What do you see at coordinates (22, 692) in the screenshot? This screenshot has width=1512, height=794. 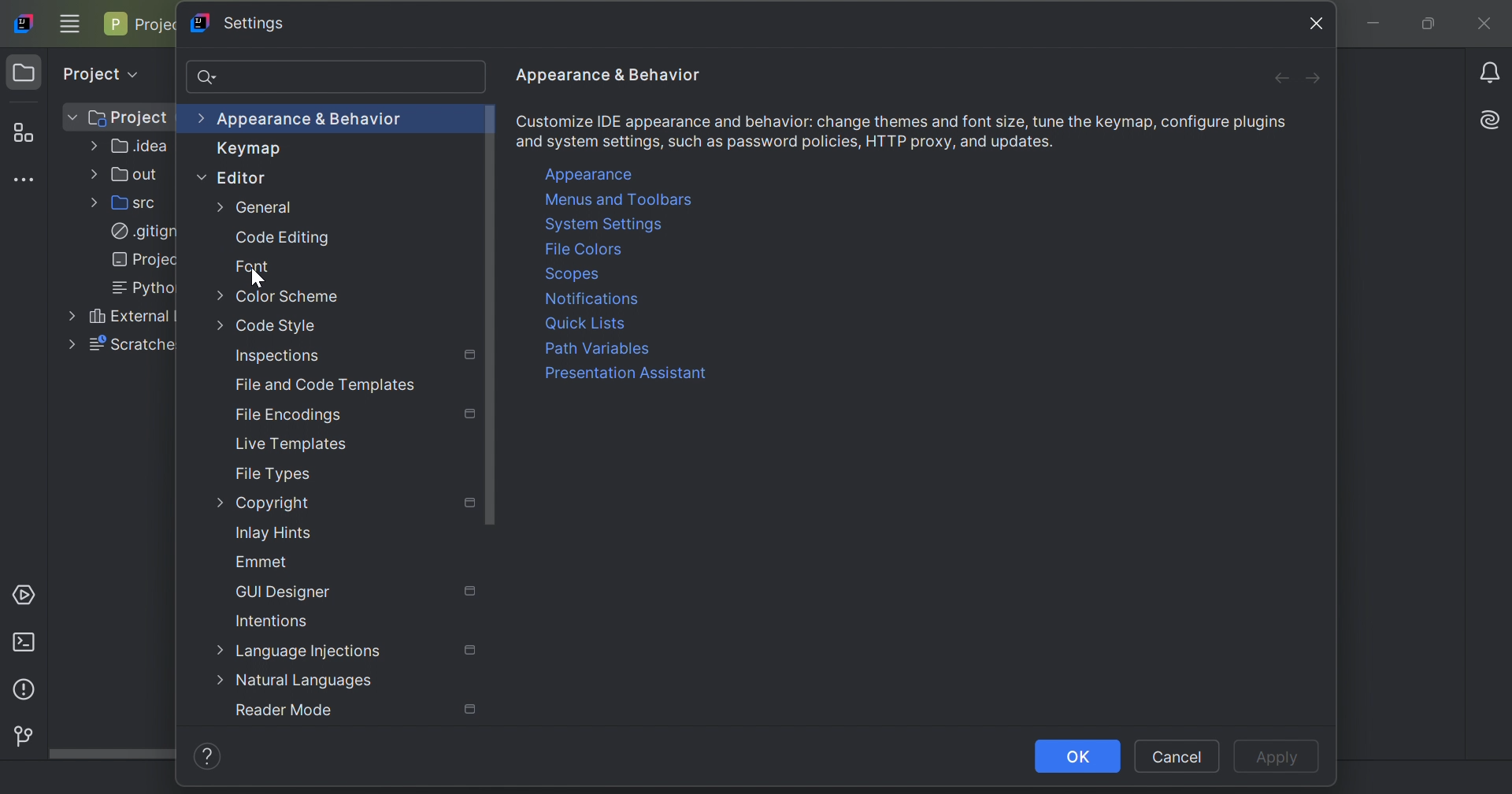 I see `Problems` at bounding box center [22, 692].